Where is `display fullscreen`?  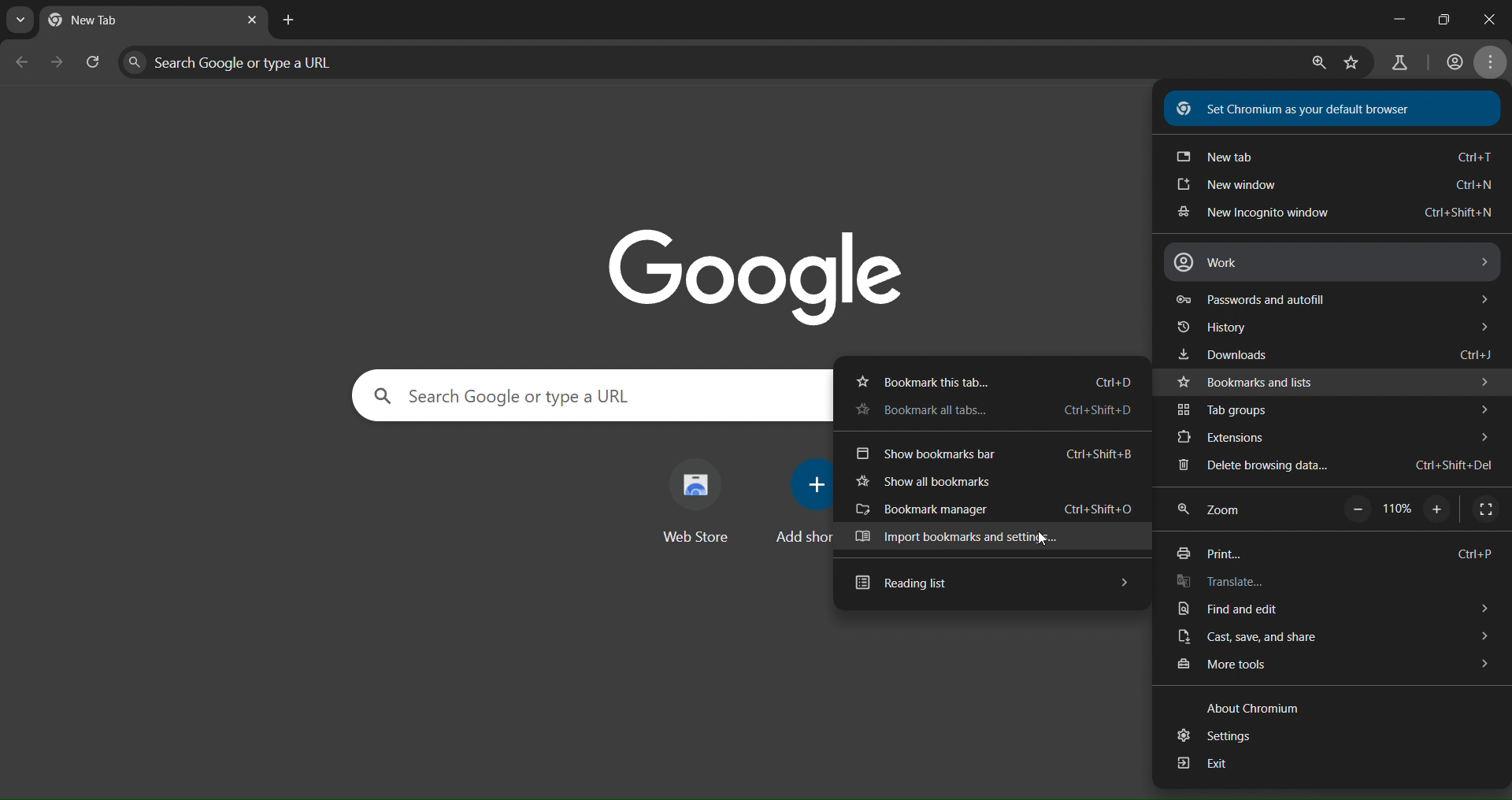
display fullscreen is located at coordinates (1488, 508).